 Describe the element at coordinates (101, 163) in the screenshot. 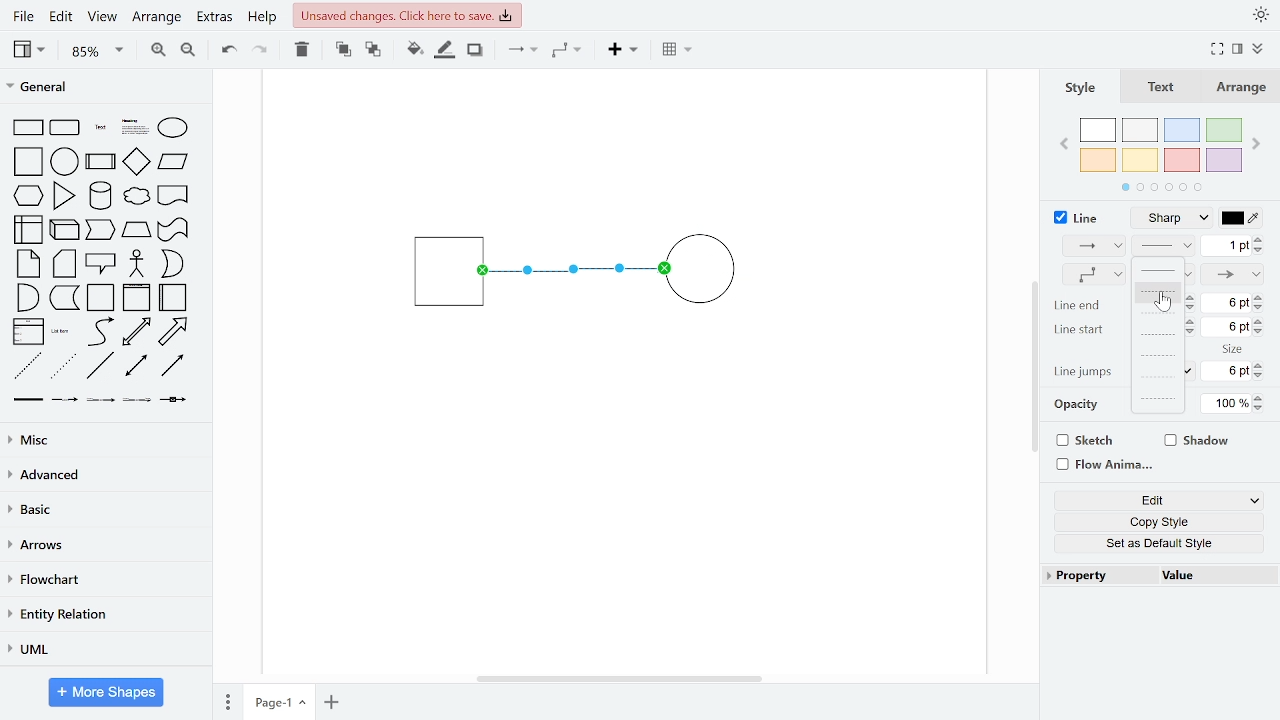

I see `process` at that location.